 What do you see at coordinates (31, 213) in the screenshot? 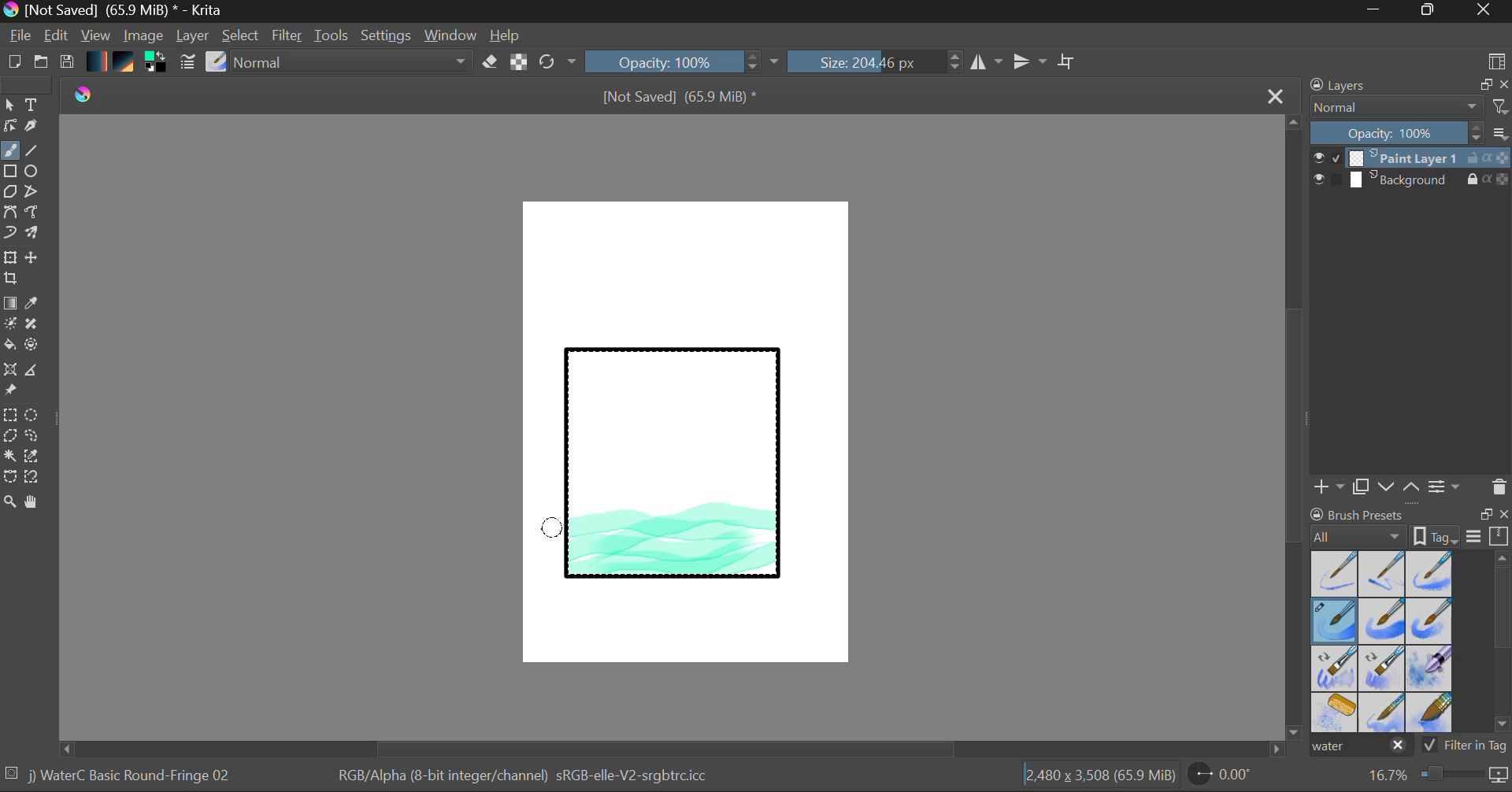
I see `Freehand Path Tool` at bounding box center [31, 213].